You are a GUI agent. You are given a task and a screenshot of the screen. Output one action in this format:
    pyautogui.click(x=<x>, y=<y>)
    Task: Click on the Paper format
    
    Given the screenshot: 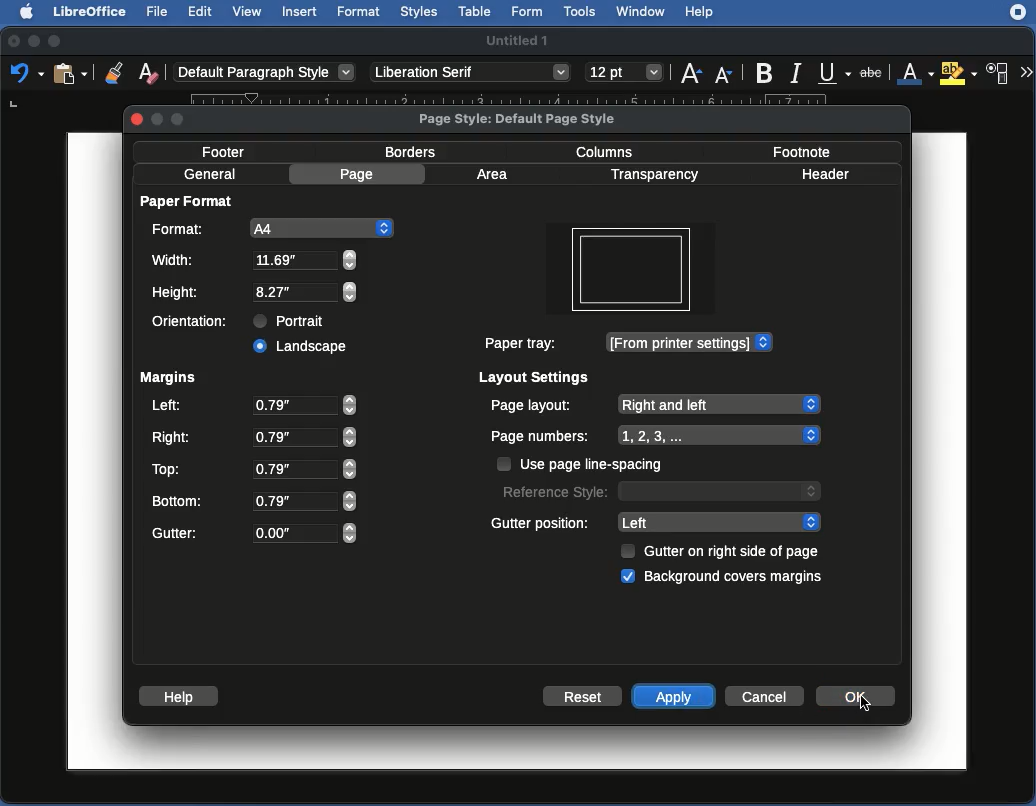 What is the action you would take?
    pyautogui.click(x=191, y=205)
    